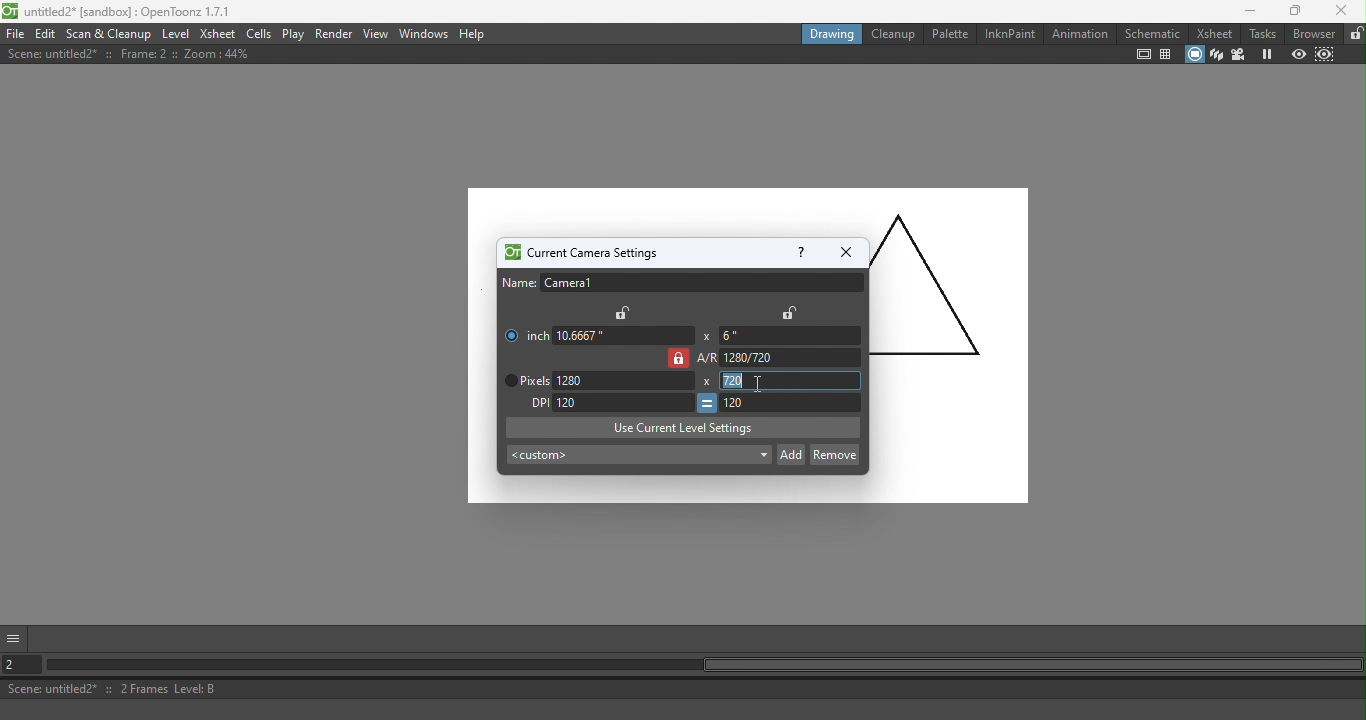  Describe the element at coordinates (1144, 55) in the screenshot. I see `Safe area` at that location.